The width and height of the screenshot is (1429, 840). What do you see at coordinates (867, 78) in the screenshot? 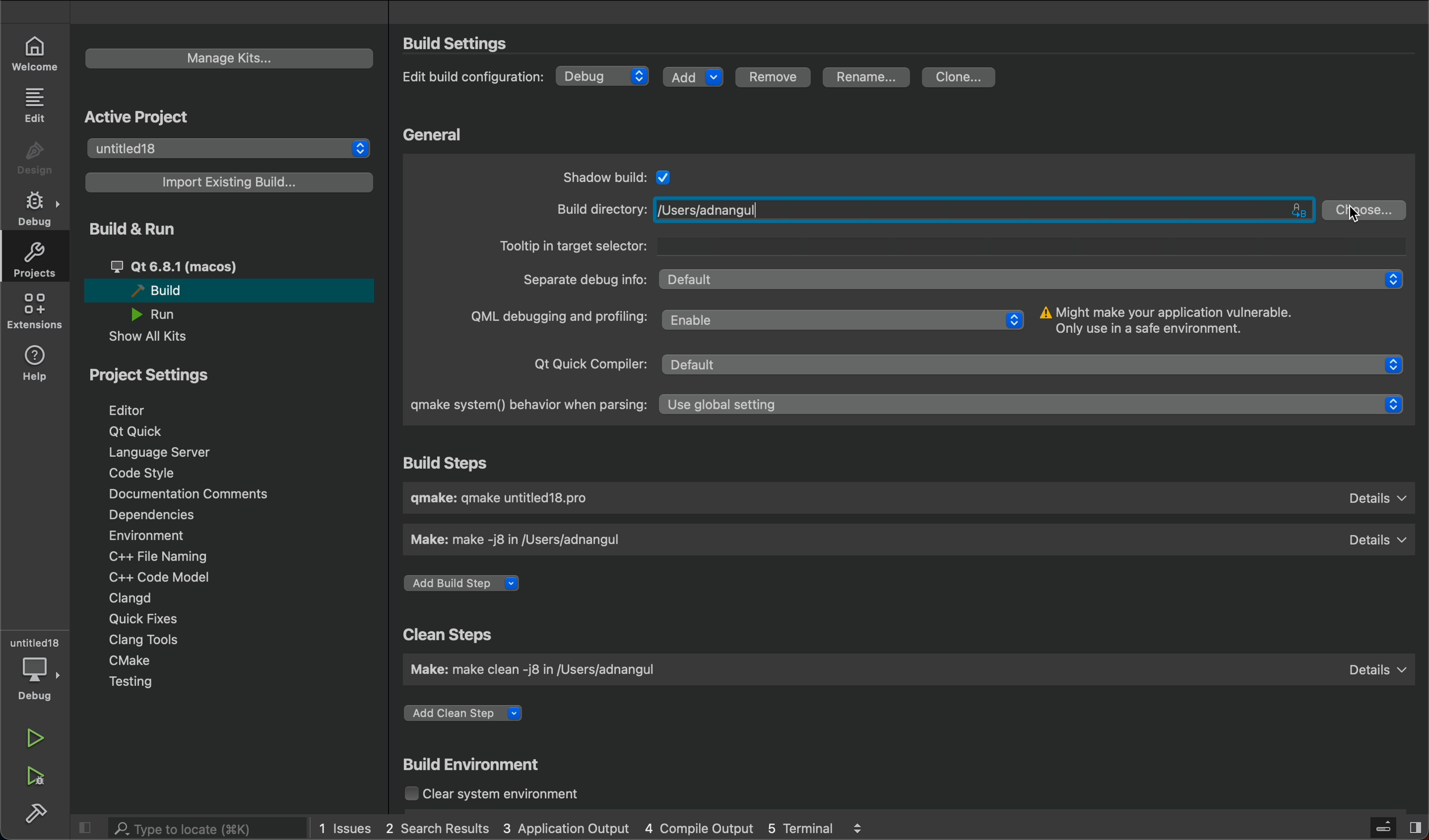
I see `Rename...` at bounding box center [867, 78].